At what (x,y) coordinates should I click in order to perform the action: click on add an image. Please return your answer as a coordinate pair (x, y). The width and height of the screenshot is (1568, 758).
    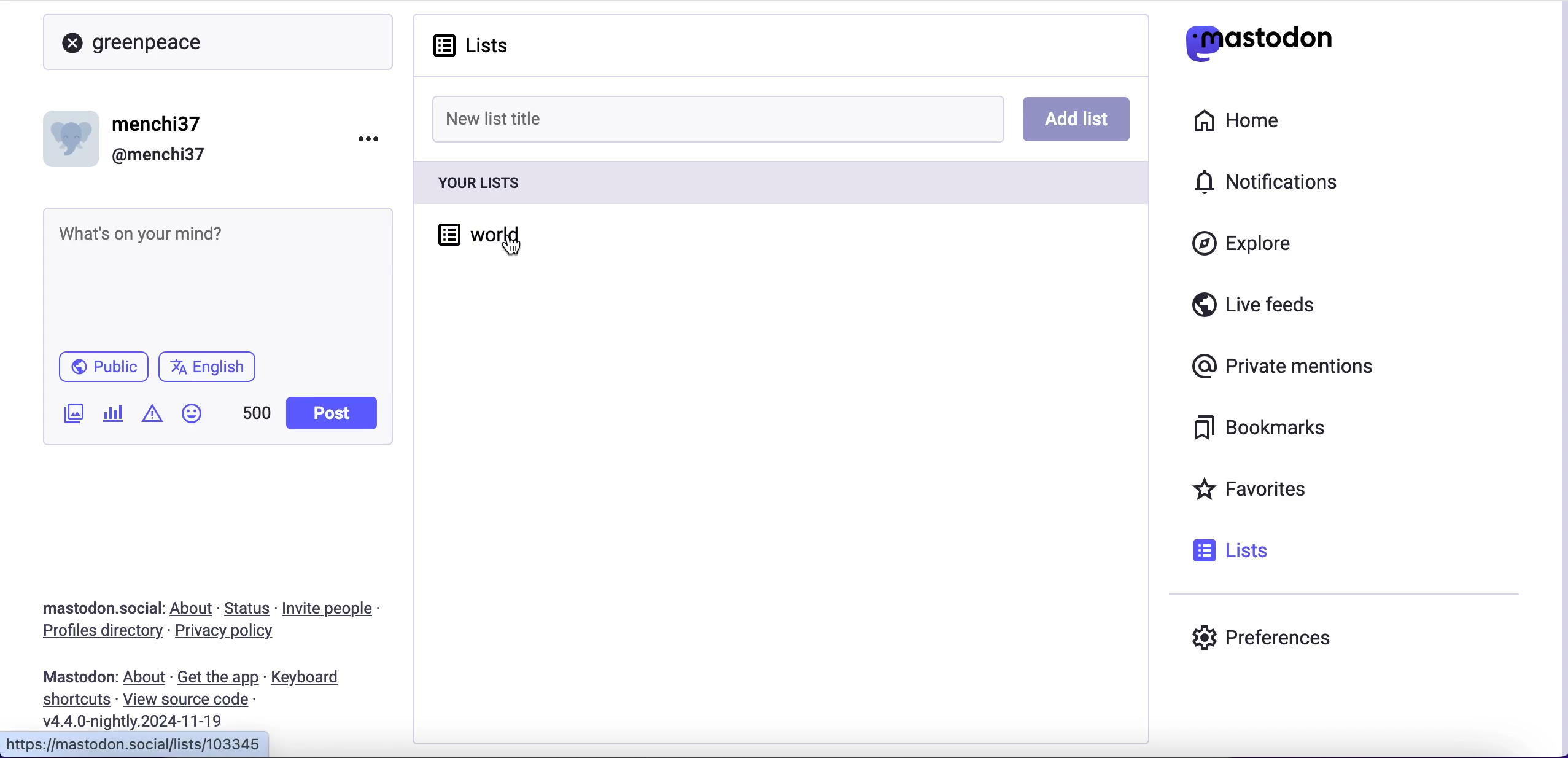
    Looking at the image, I should click on (72, 413).